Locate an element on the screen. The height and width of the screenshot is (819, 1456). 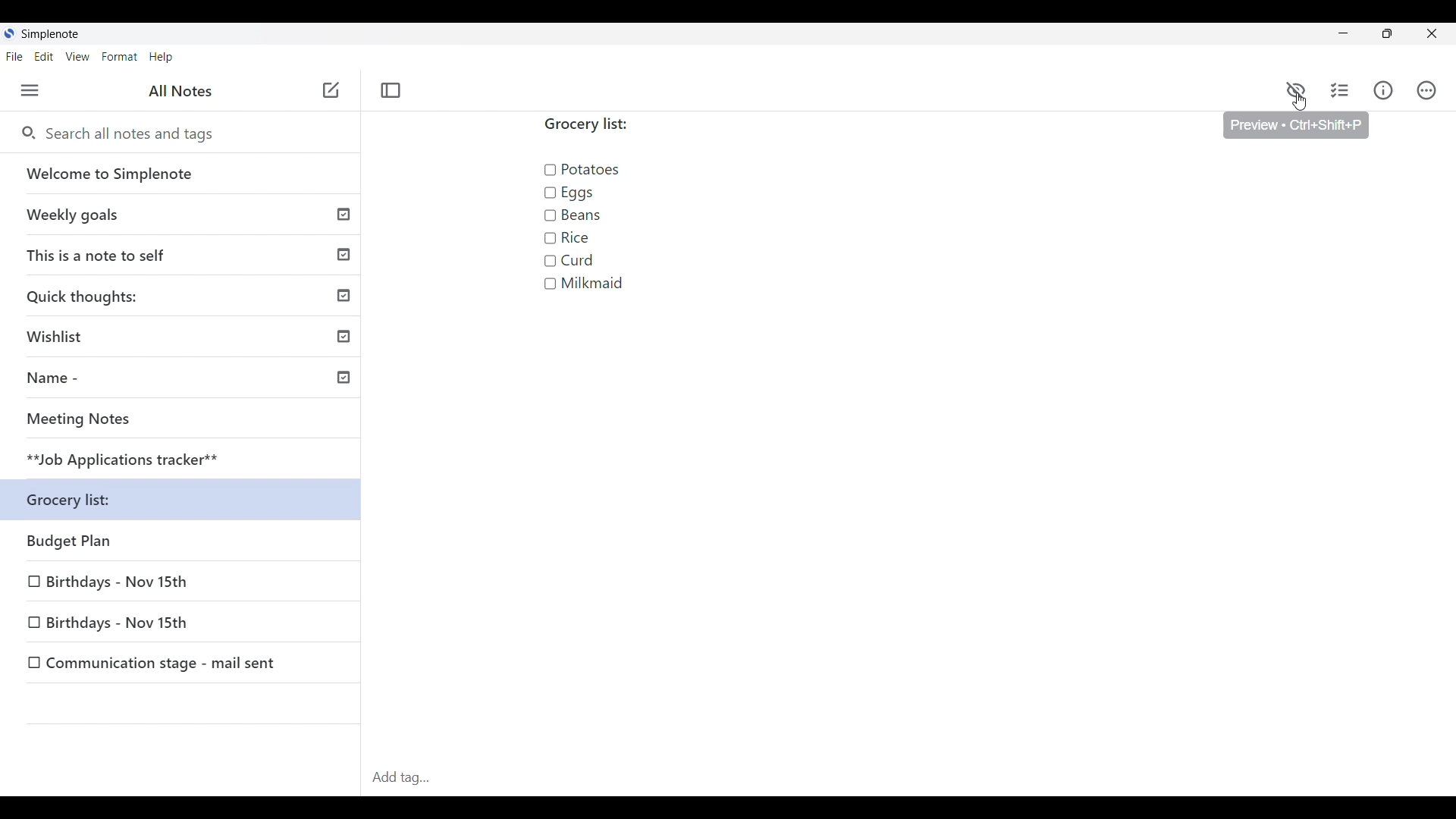
Menu is located at coordinates (30, 90).